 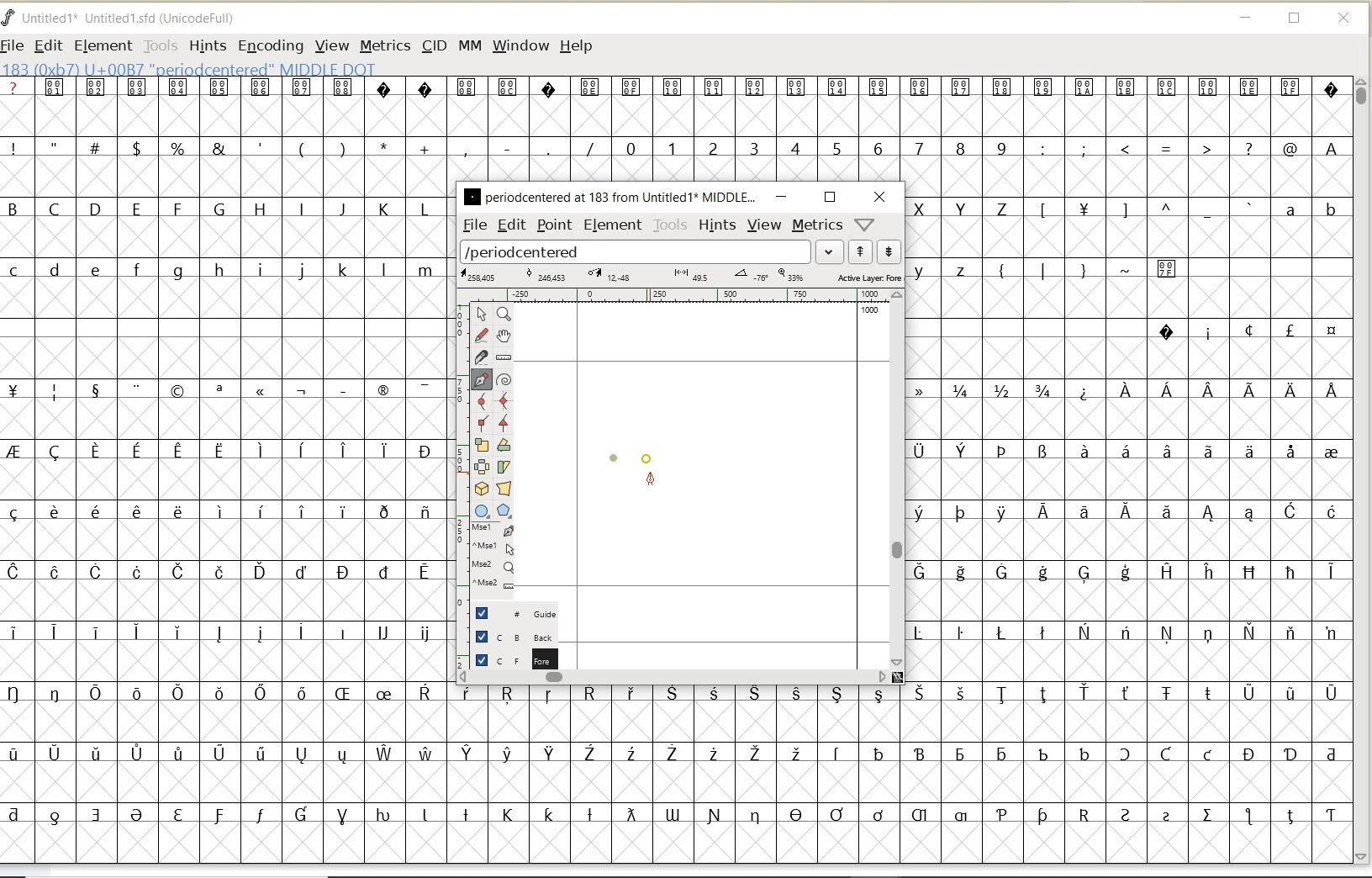 I want to click on special characters, so click(x=895, y=761).